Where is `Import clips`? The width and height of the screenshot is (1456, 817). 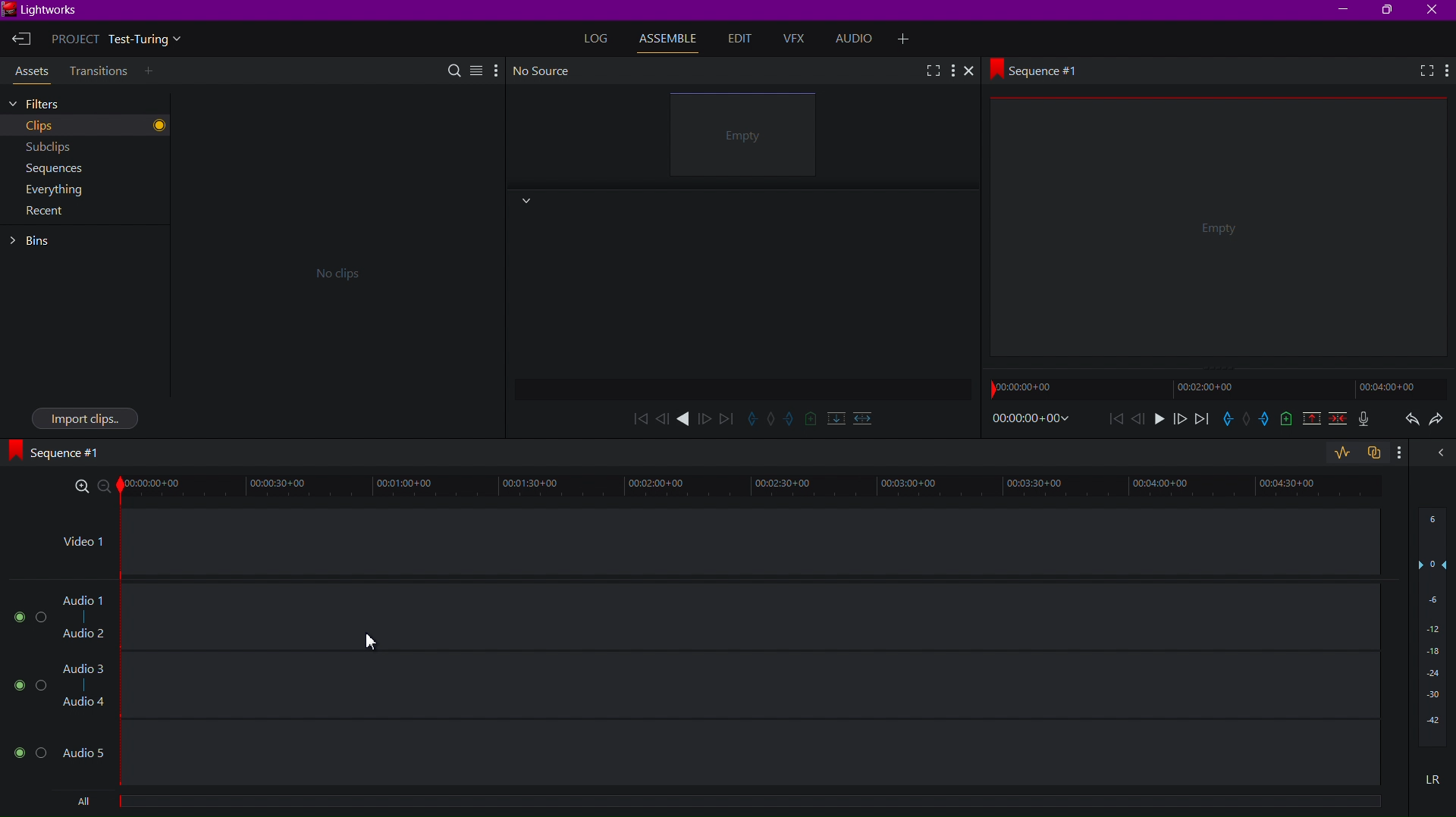 Import clips is located at coordinates (85, 417).